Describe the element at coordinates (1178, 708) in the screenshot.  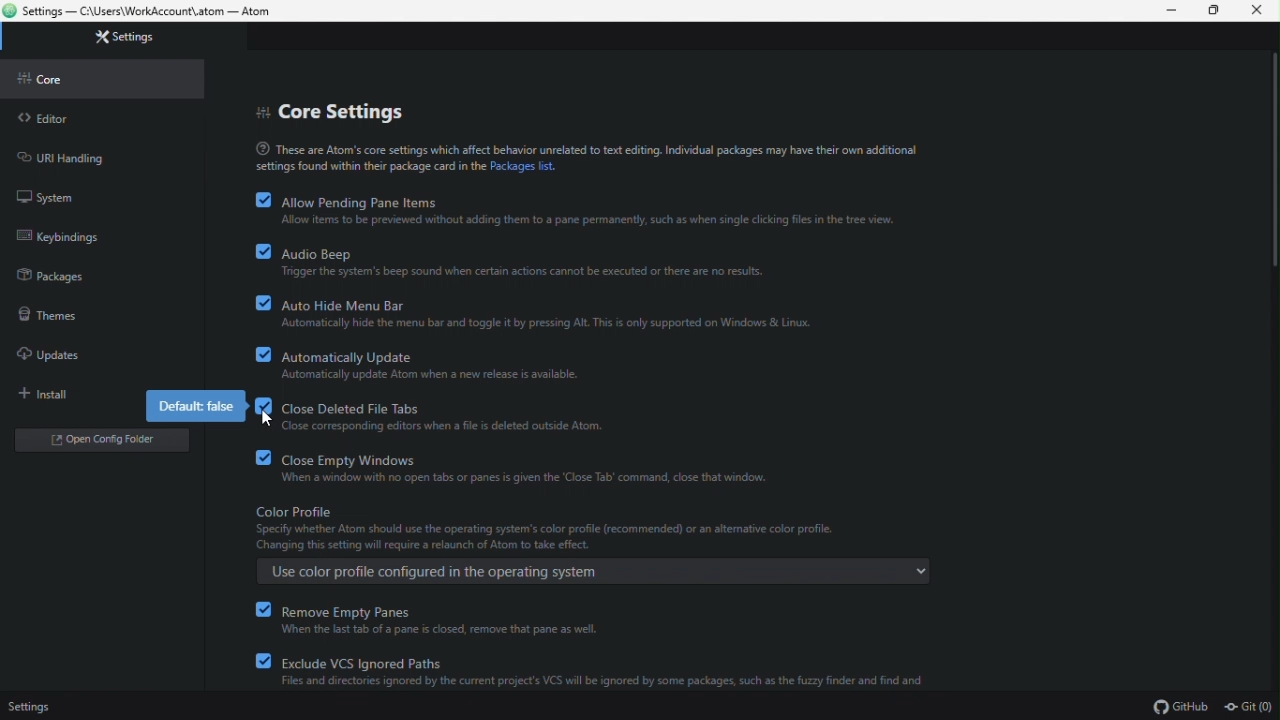
I see `GitHub` at that location.